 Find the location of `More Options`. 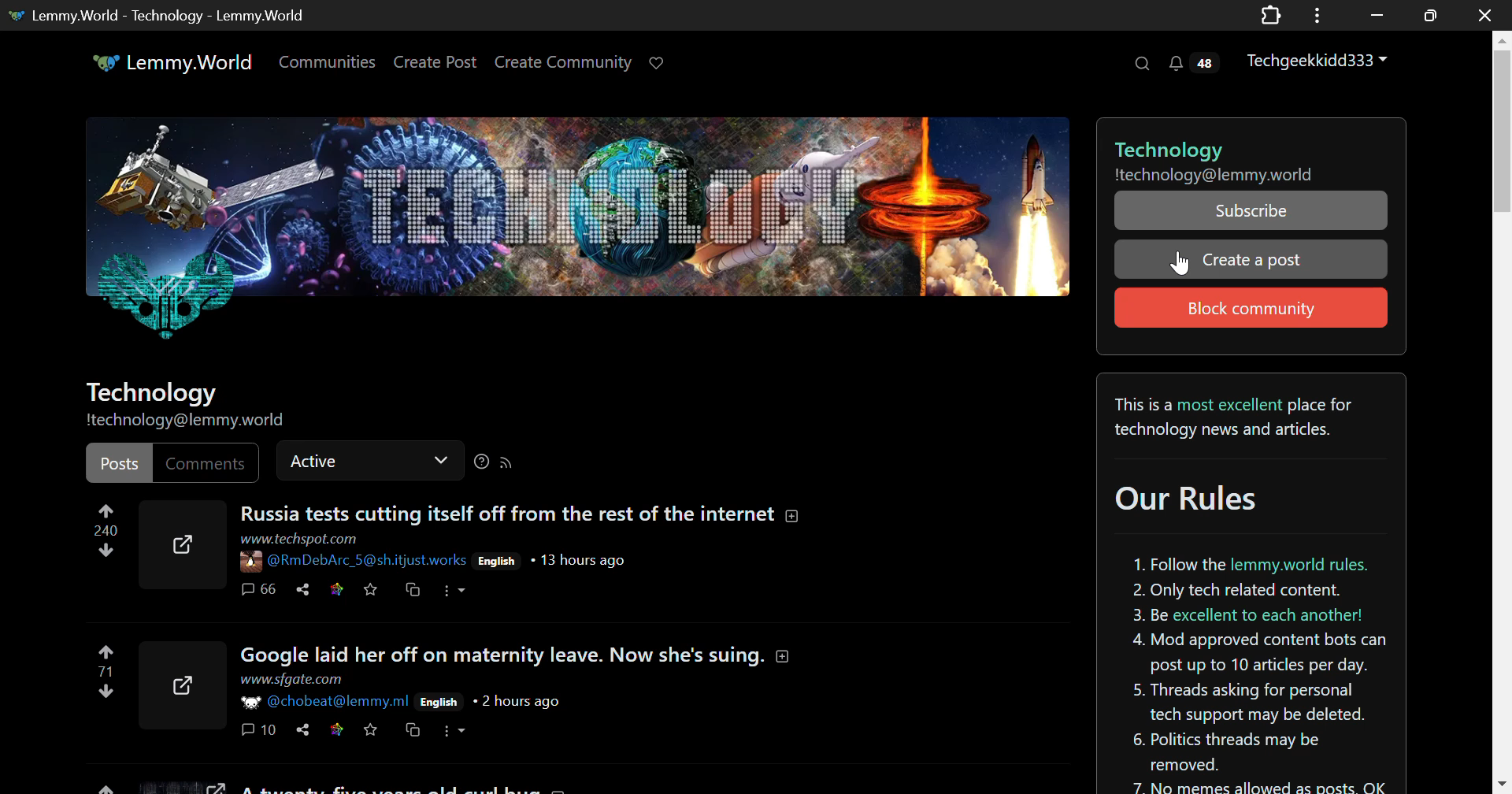

More Options is located at coordinates (454, 588).